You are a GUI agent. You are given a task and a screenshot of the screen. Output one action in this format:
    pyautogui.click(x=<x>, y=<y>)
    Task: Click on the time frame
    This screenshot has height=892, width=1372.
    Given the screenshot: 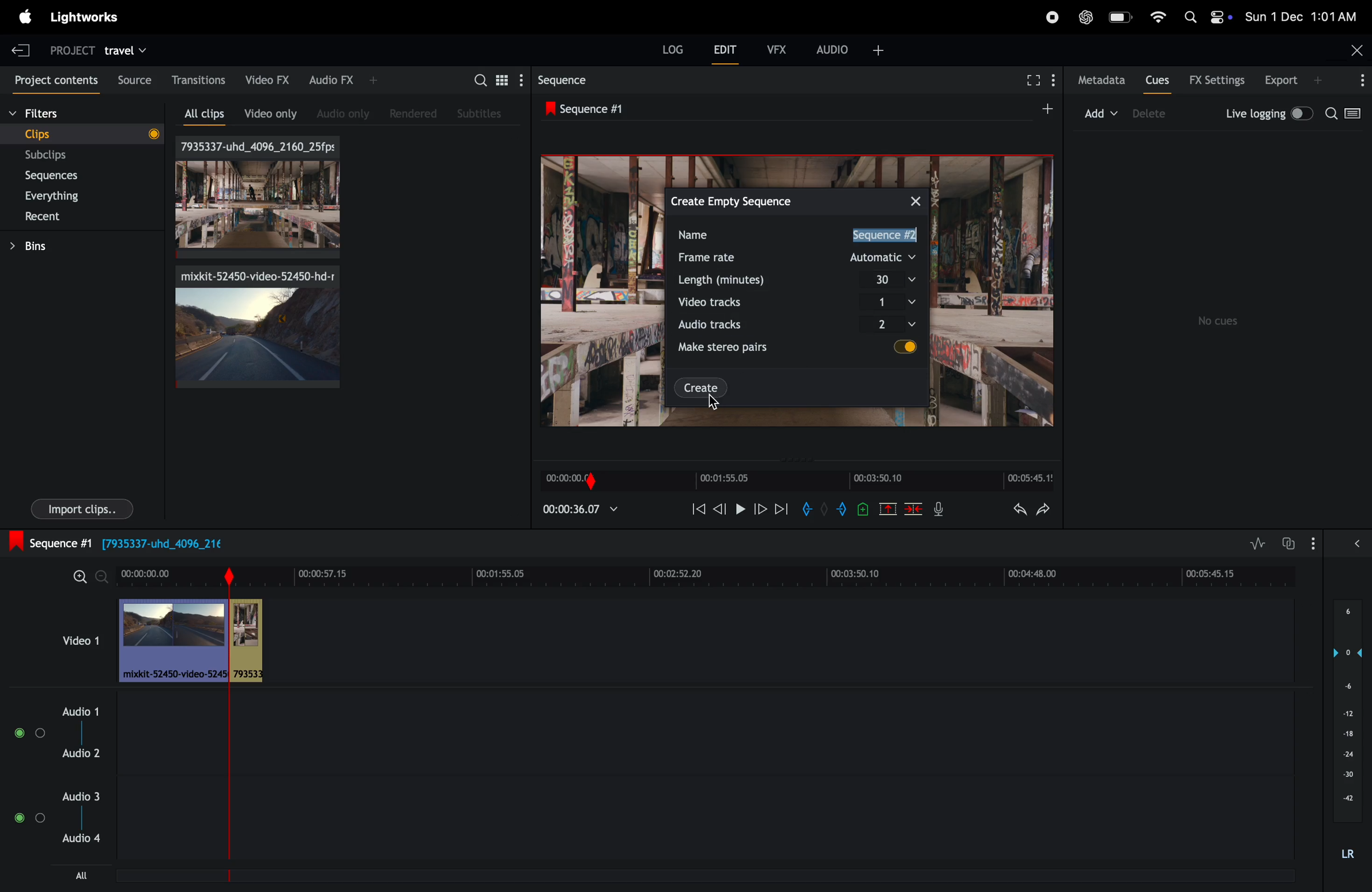 What is the action you would take?
    pyautogui.click(x=708, y=574)
    